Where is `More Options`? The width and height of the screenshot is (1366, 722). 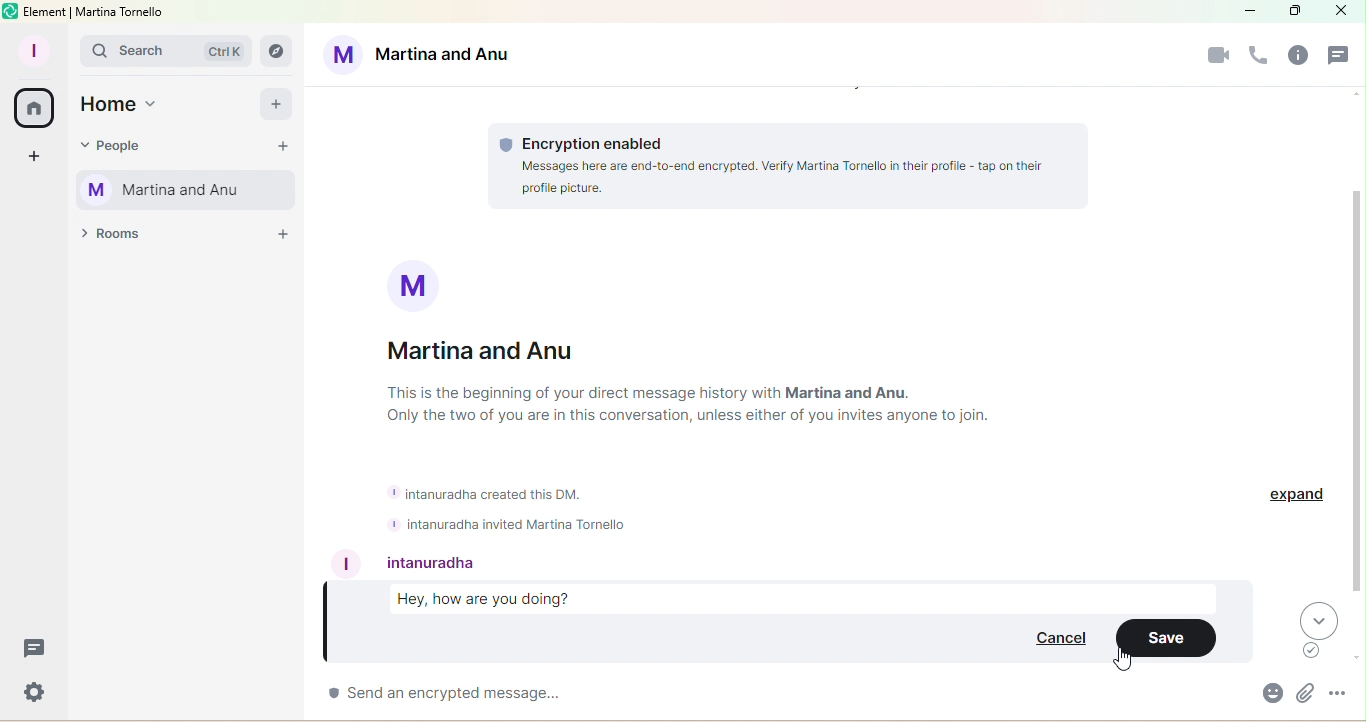
More Options is located at coordinates (1340, 697).